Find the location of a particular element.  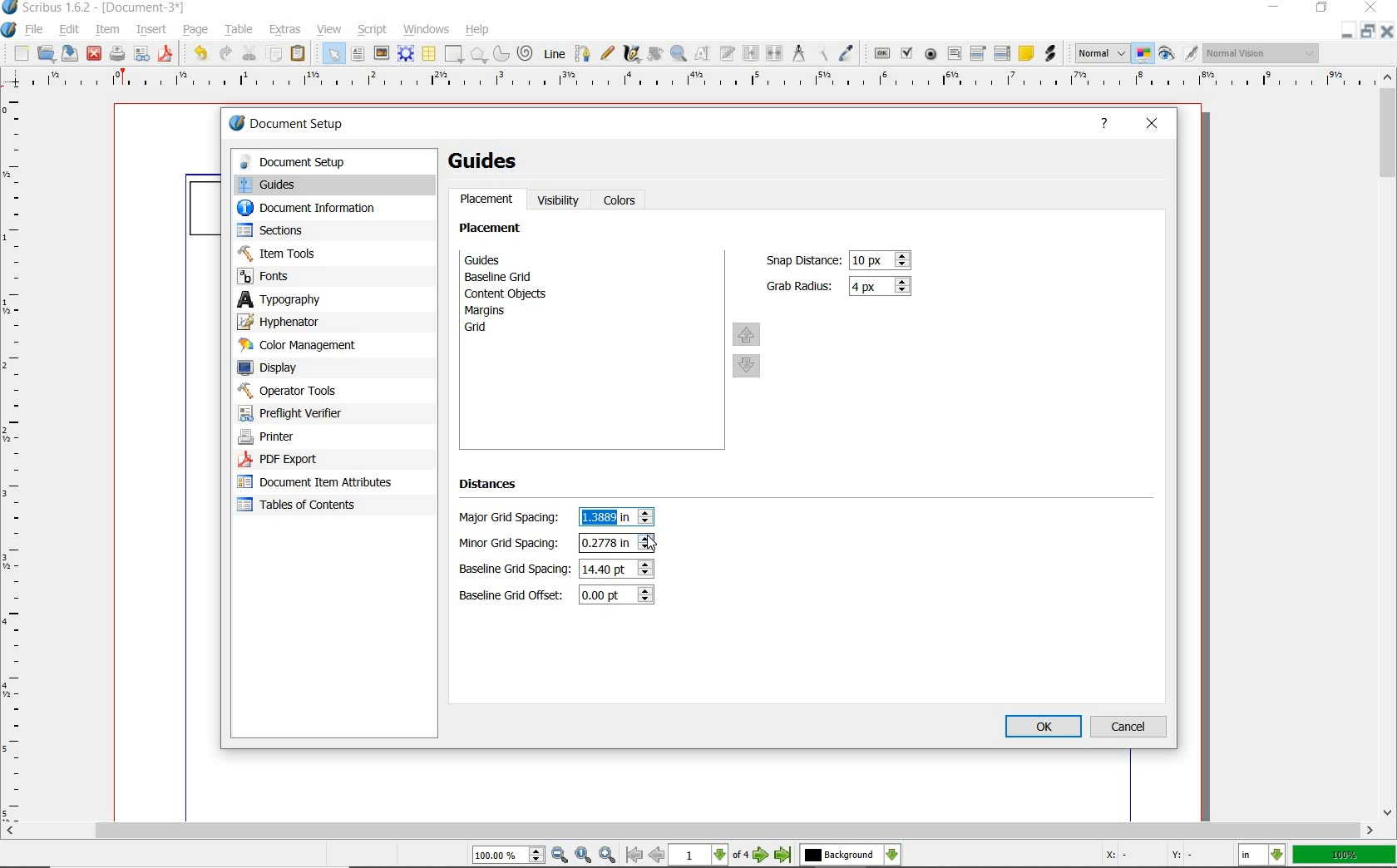

paste is located at coordinates (301, 55).